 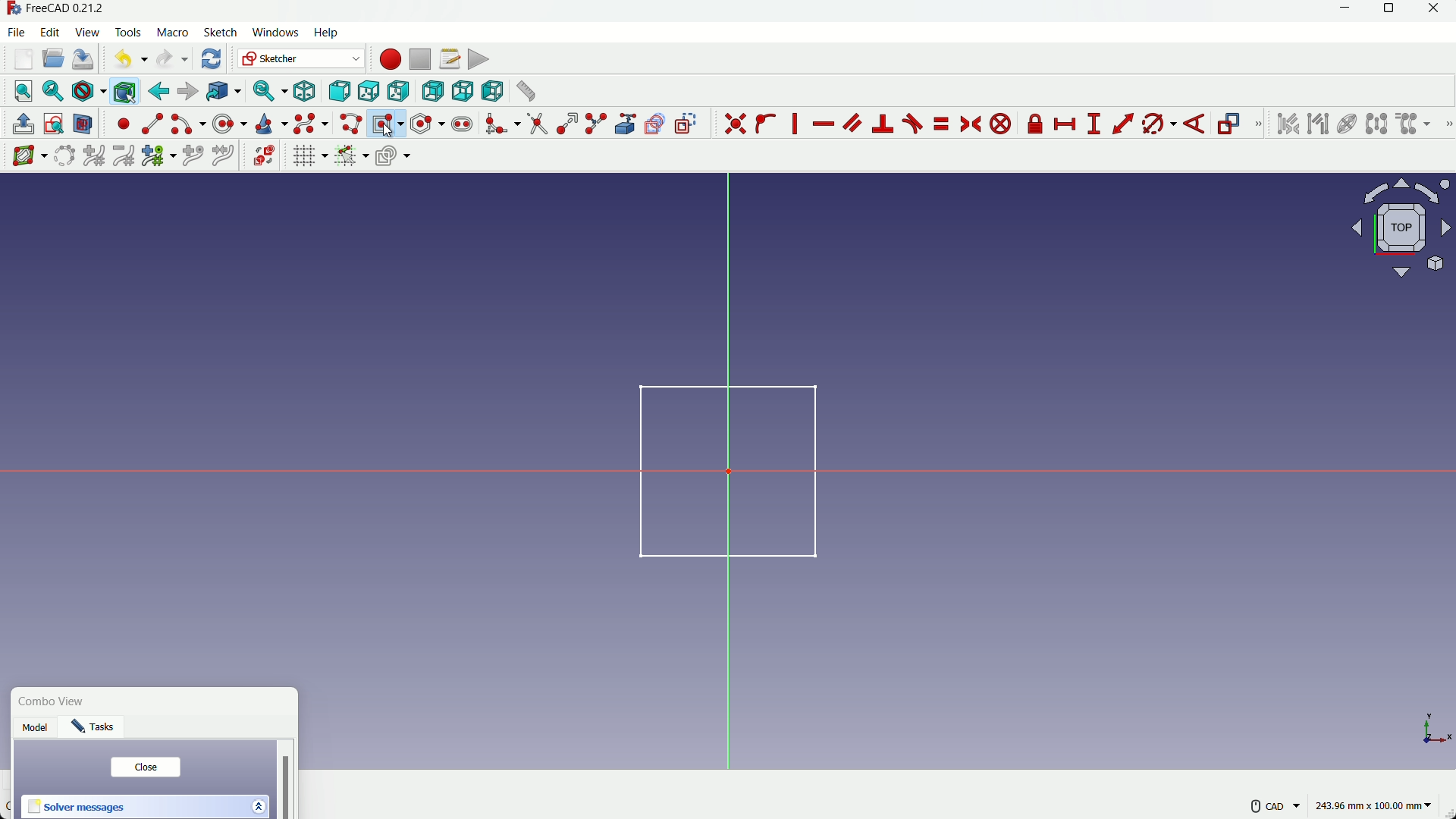 I want to click on sync view, so click(x=267, y=92).